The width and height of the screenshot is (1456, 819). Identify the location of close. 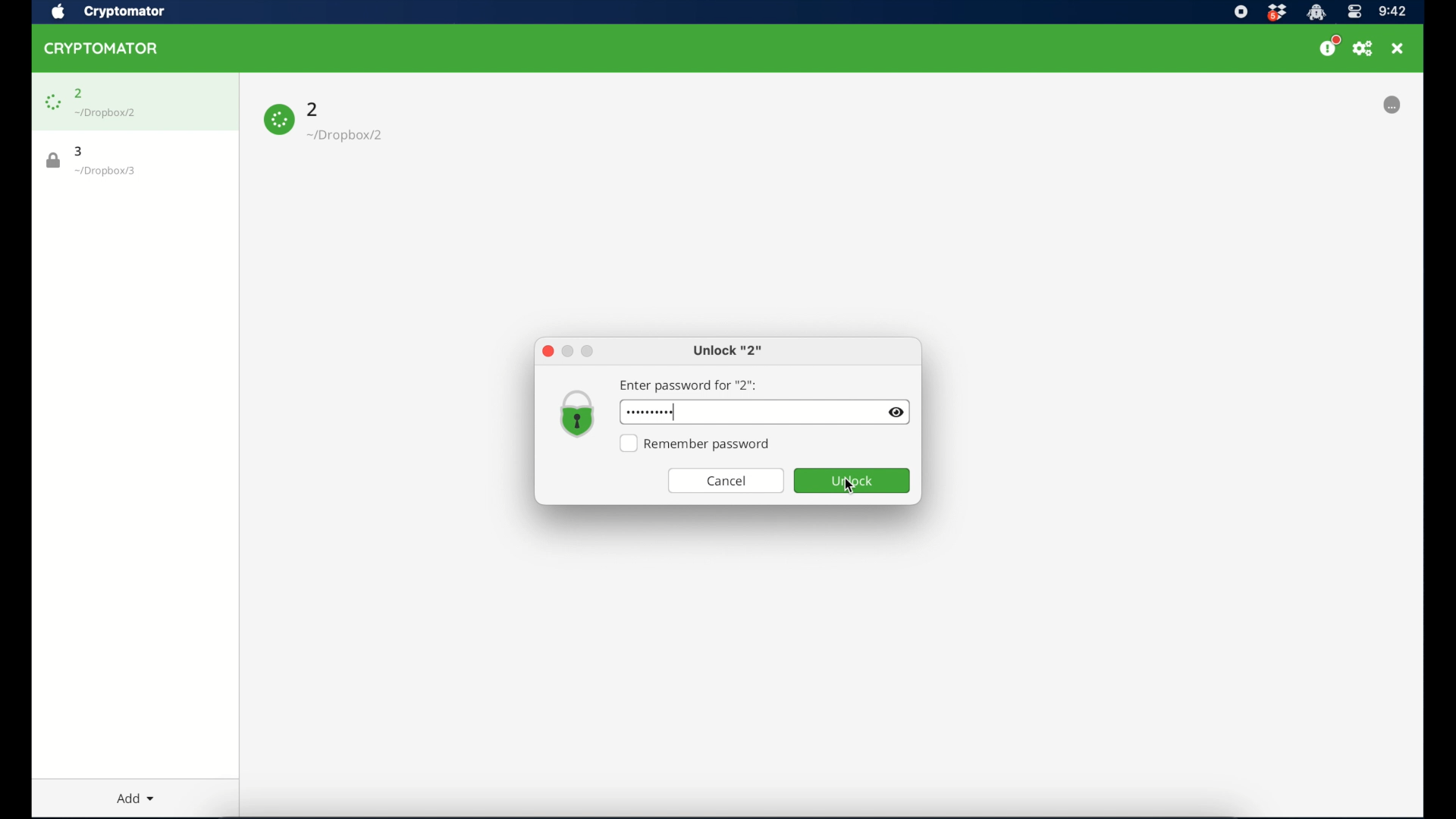
(1398, 49).